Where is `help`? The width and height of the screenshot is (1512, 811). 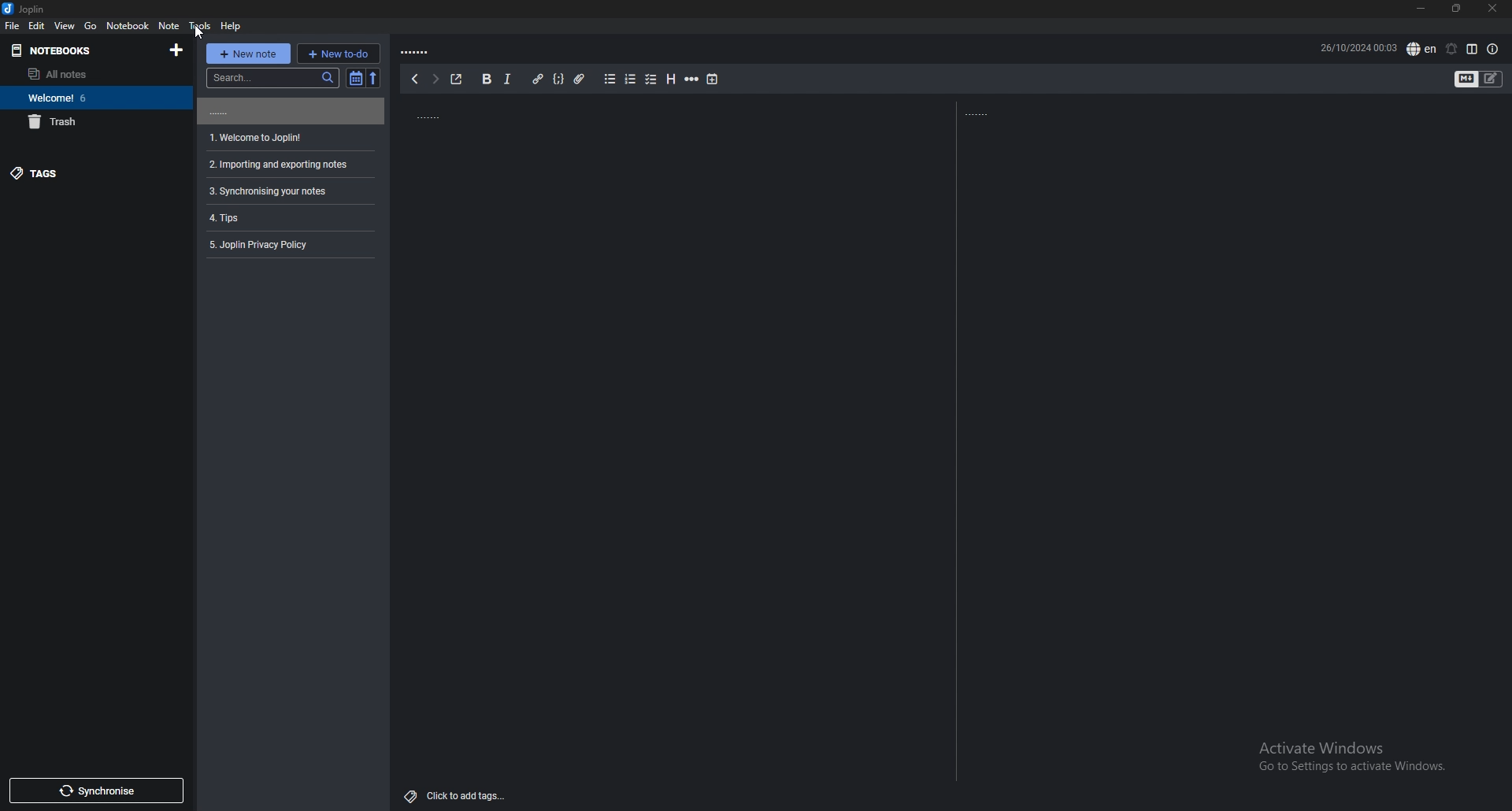 help is located at coordinates (231, 26).